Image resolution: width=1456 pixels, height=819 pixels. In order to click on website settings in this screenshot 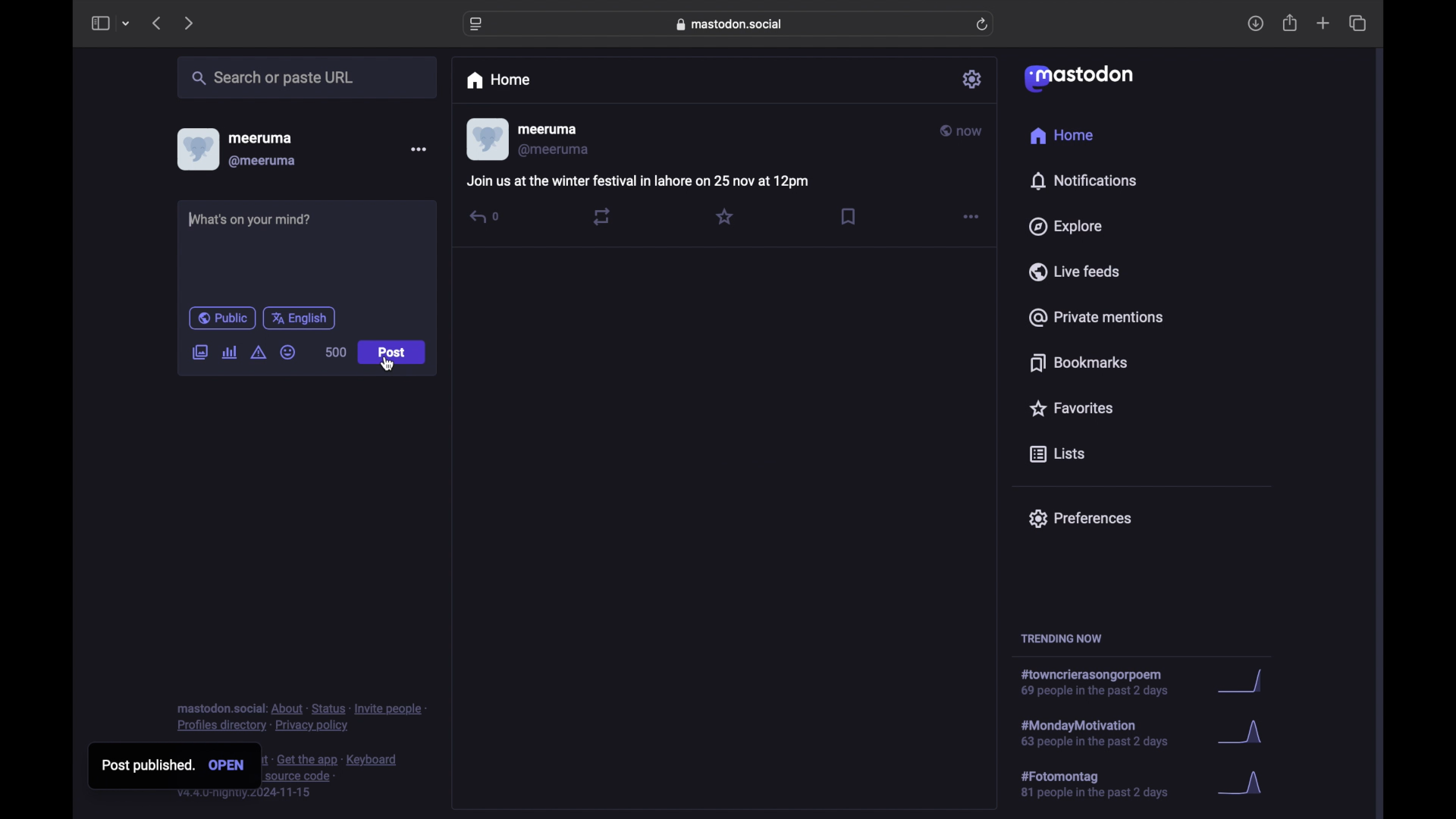, I will do `click(478, 24)`.